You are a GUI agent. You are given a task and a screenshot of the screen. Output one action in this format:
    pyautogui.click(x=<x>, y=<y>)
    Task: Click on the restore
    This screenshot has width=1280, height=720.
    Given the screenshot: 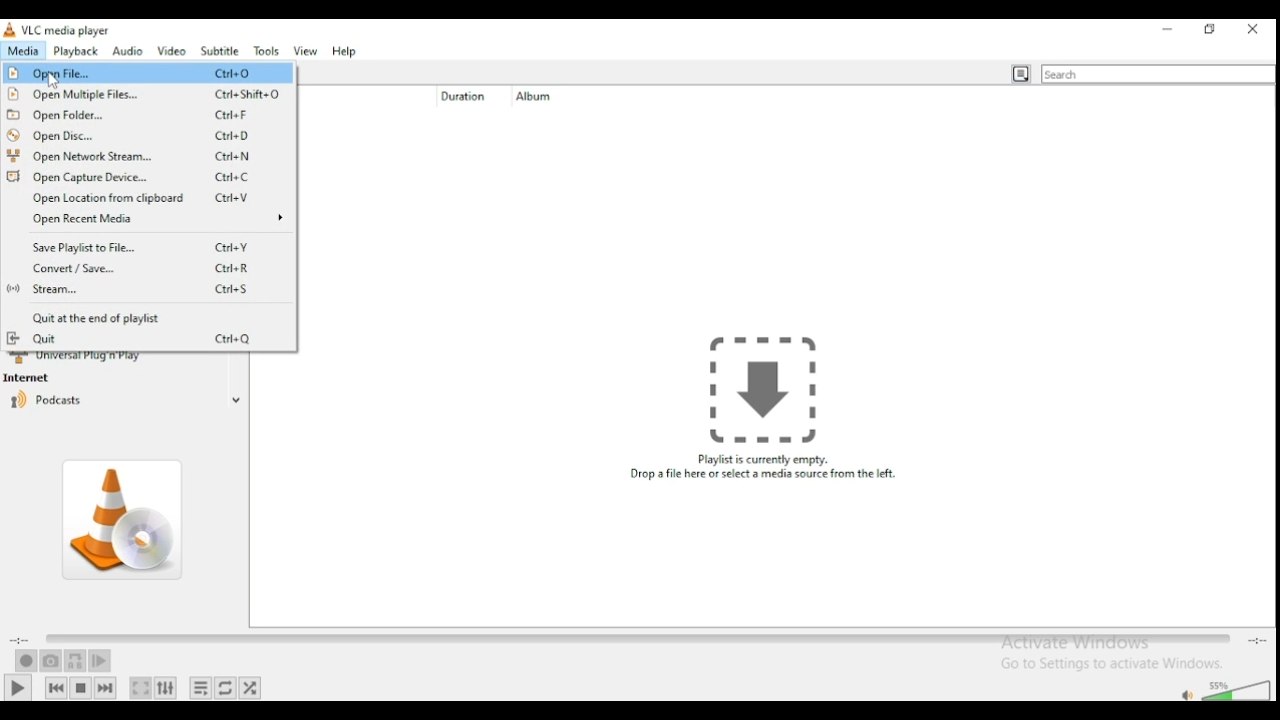 What is the action you would take?
    pyautogui.click(x=1207, y=31)
    